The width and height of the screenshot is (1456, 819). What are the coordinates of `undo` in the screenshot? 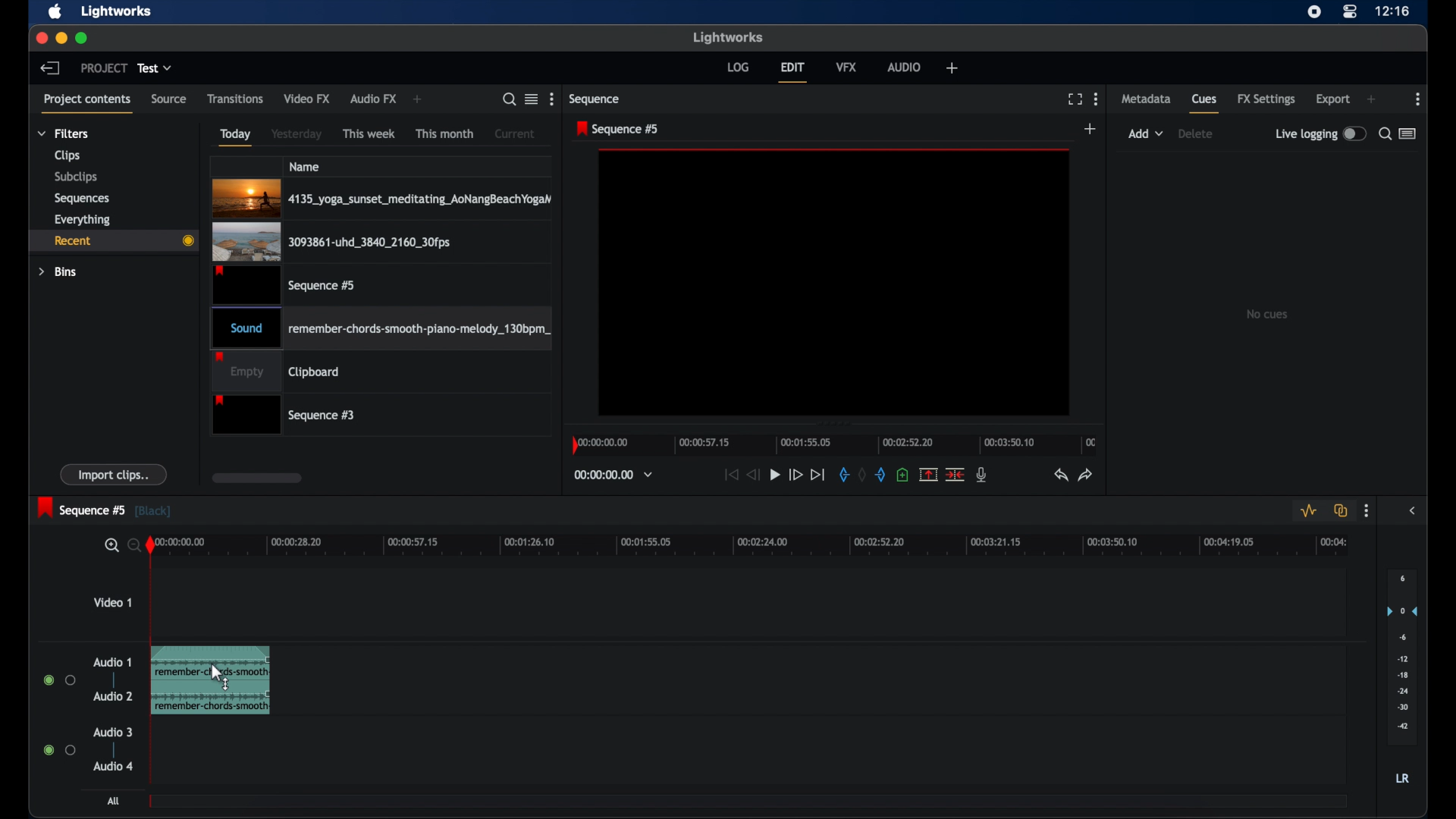 It's located at (1059, 475).